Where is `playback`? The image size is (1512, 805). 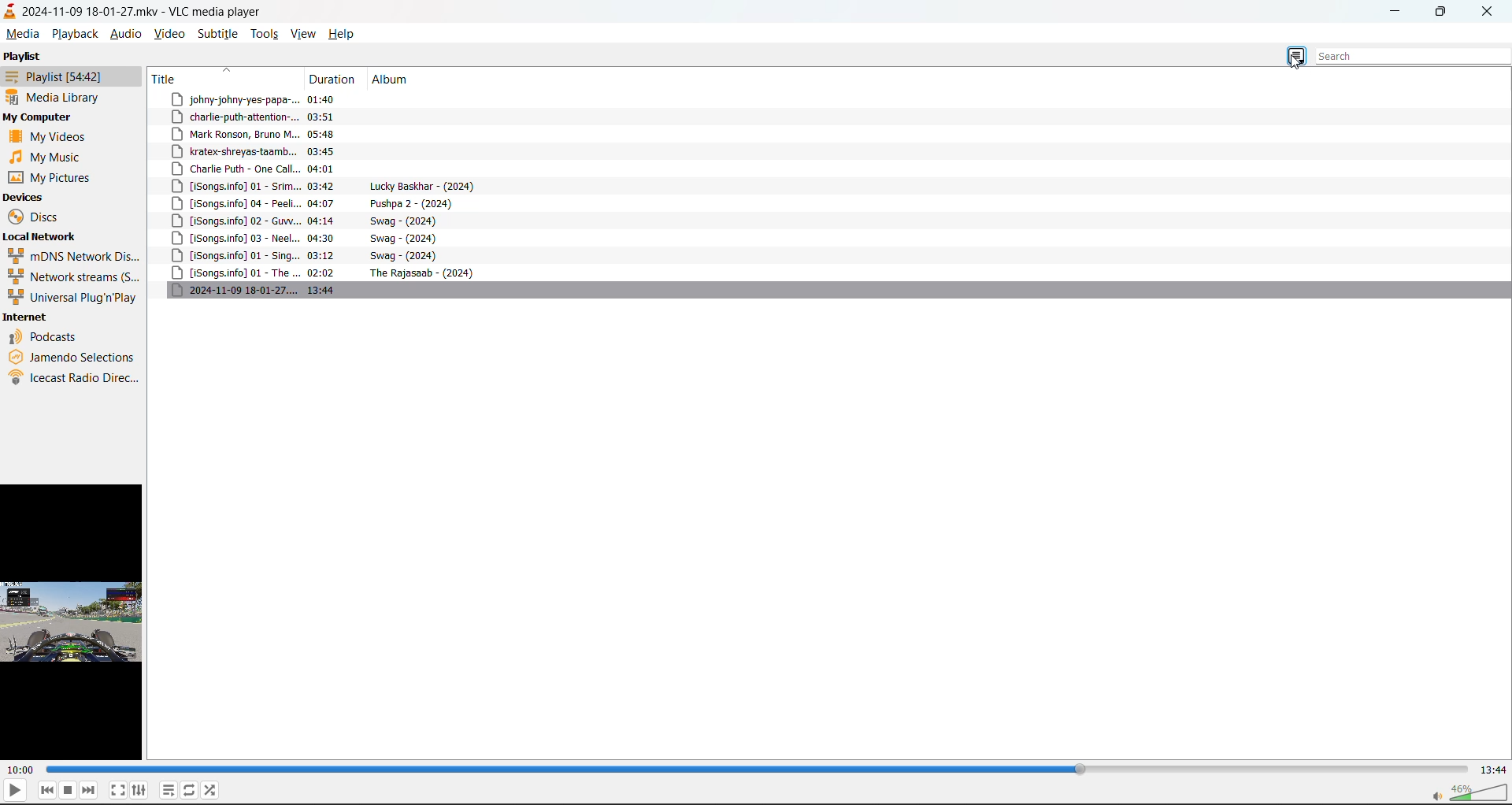
playback is located at coordinates (74, 33).